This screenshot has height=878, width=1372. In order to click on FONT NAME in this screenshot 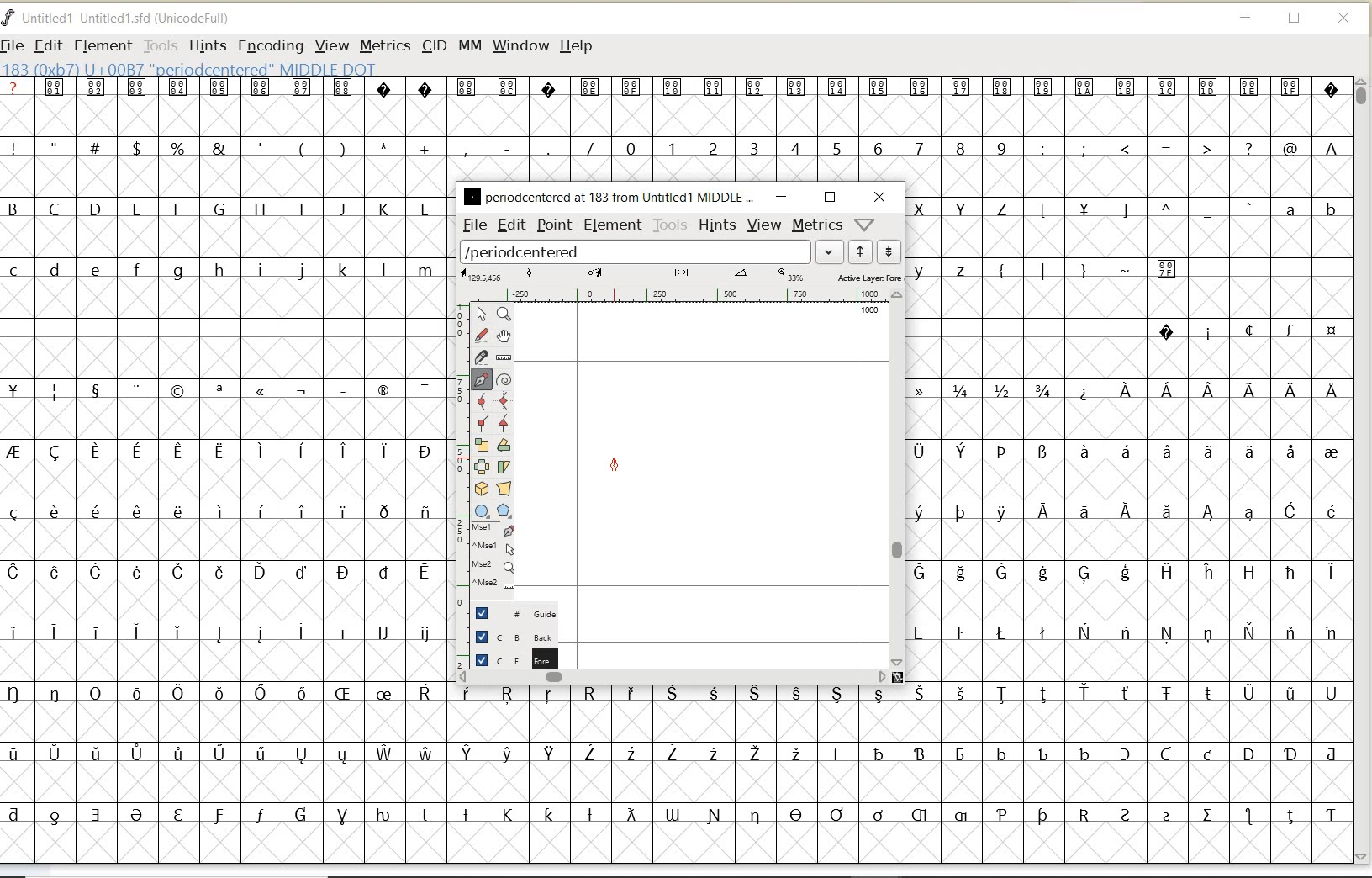, I will do `click(131, 19)`.